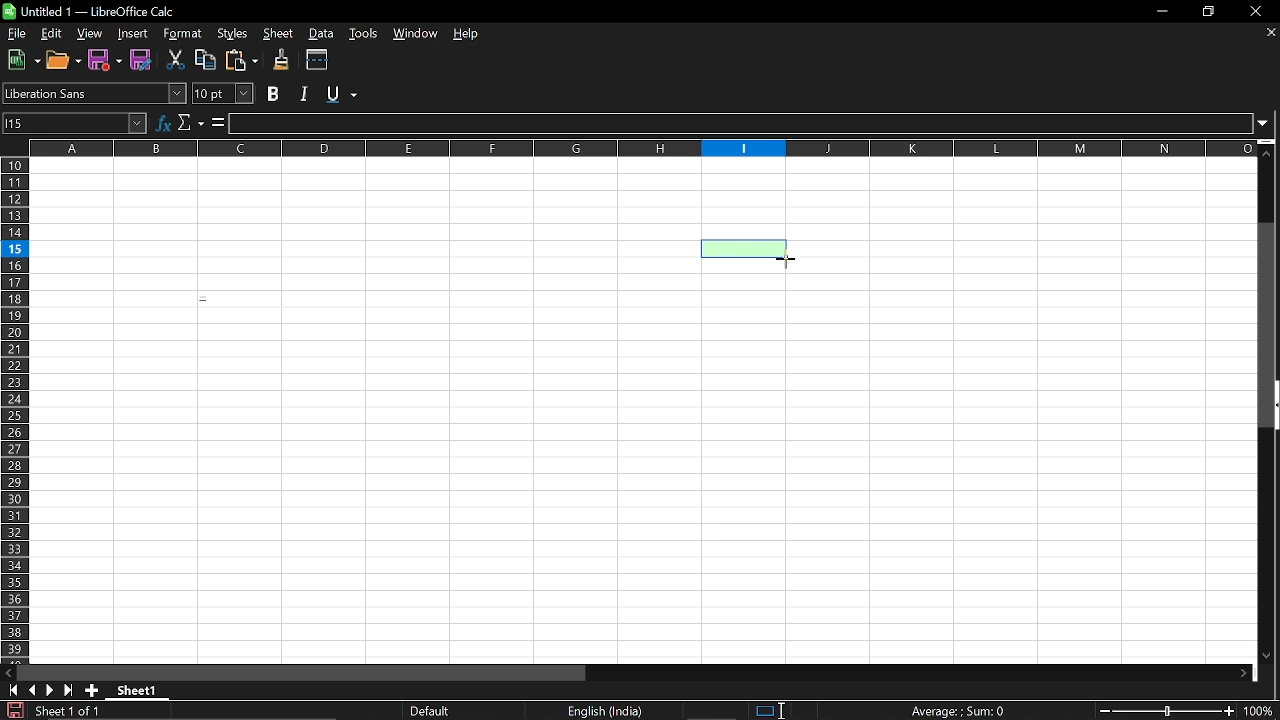  Describe the element at coordinates (274, 93) in the screenshot. I see `Bold` at that location.